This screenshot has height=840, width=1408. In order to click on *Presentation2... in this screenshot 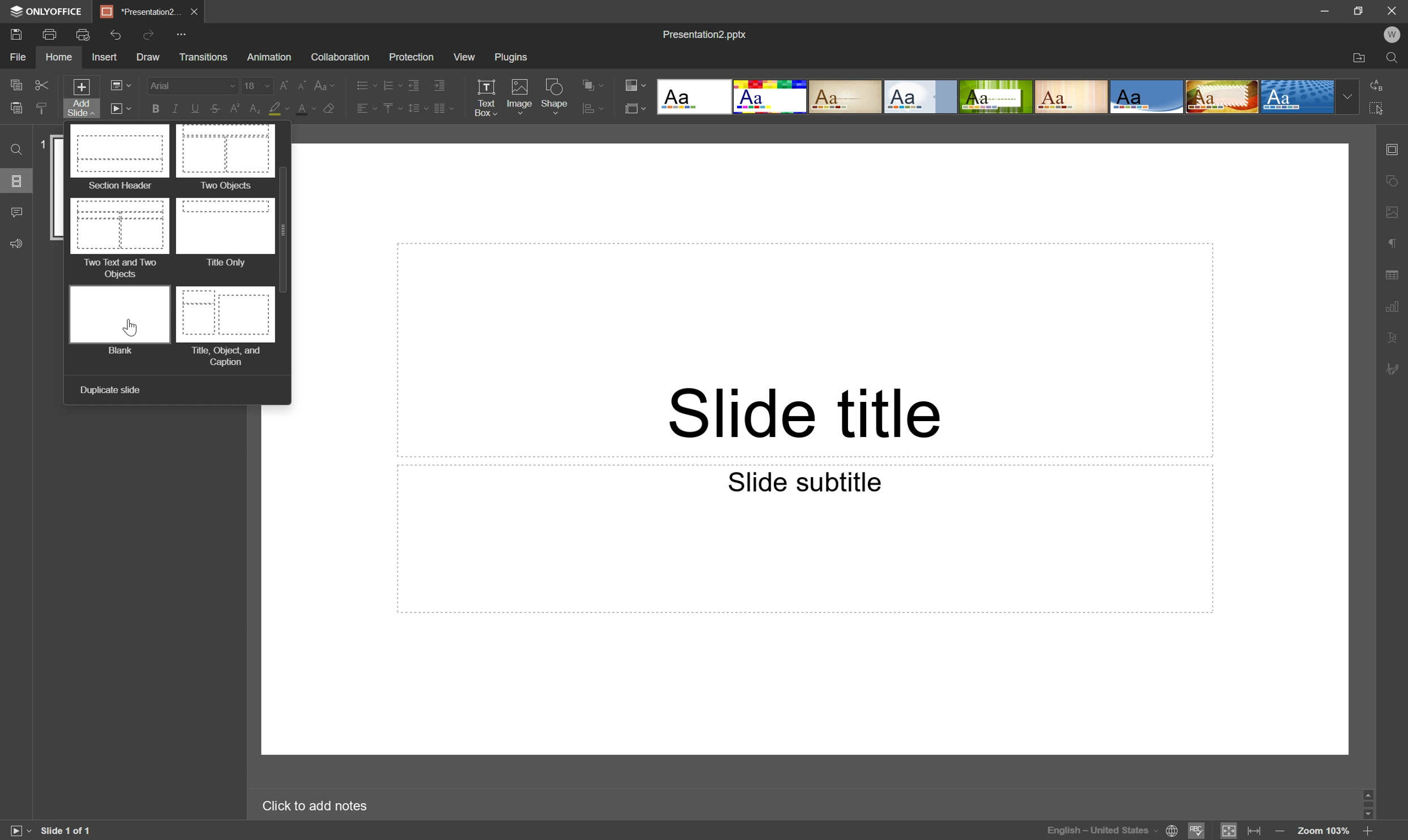, I will do `click(139, 11)`.